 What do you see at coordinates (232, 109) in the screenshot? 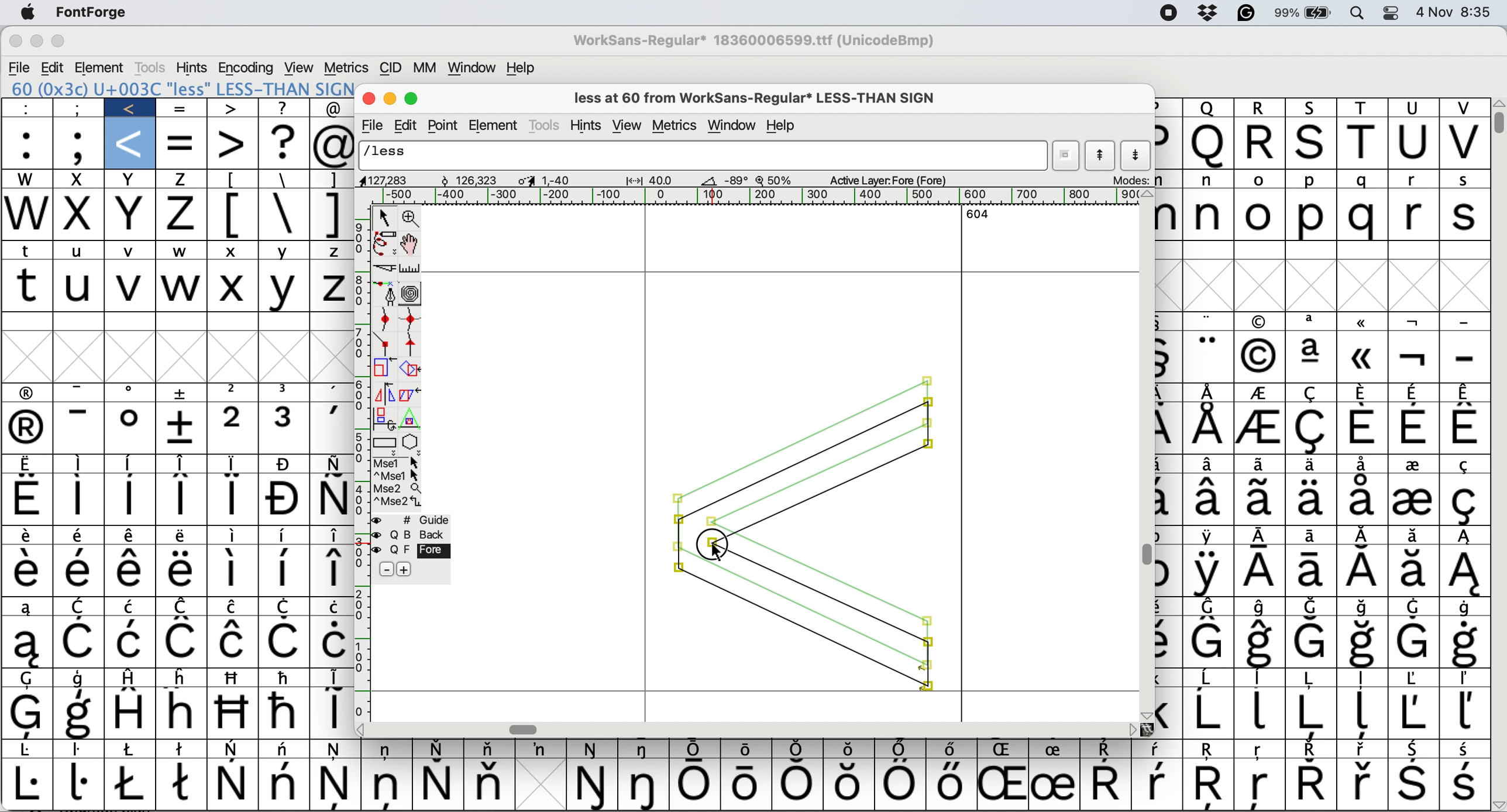
I see `>` at bounding box center [232, 109].